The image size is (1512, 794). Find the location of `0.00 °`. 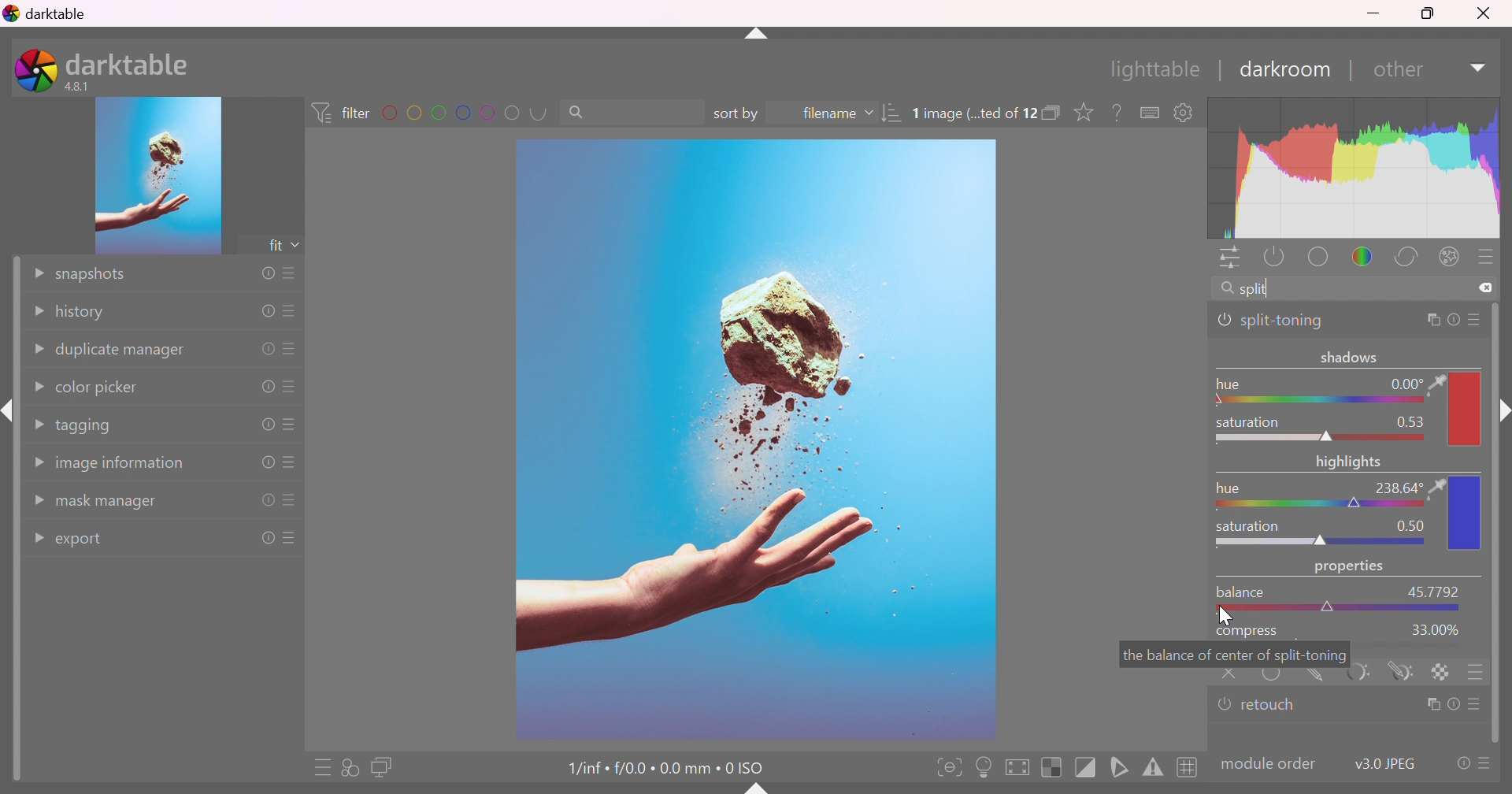

0.00 ° is located at coordinates (1406, 383).